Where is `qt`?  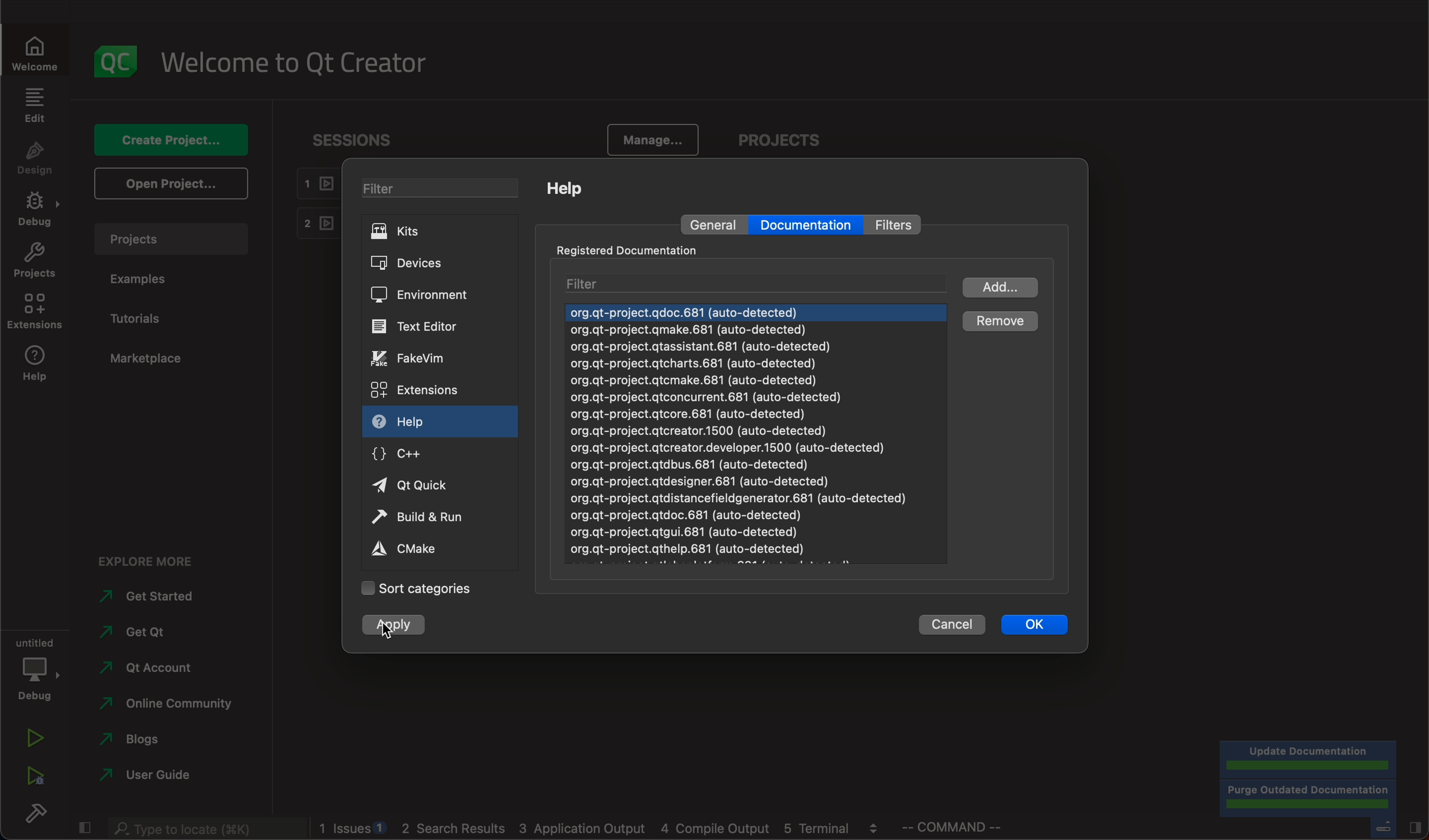
qt is located at coordinates (423, 486).